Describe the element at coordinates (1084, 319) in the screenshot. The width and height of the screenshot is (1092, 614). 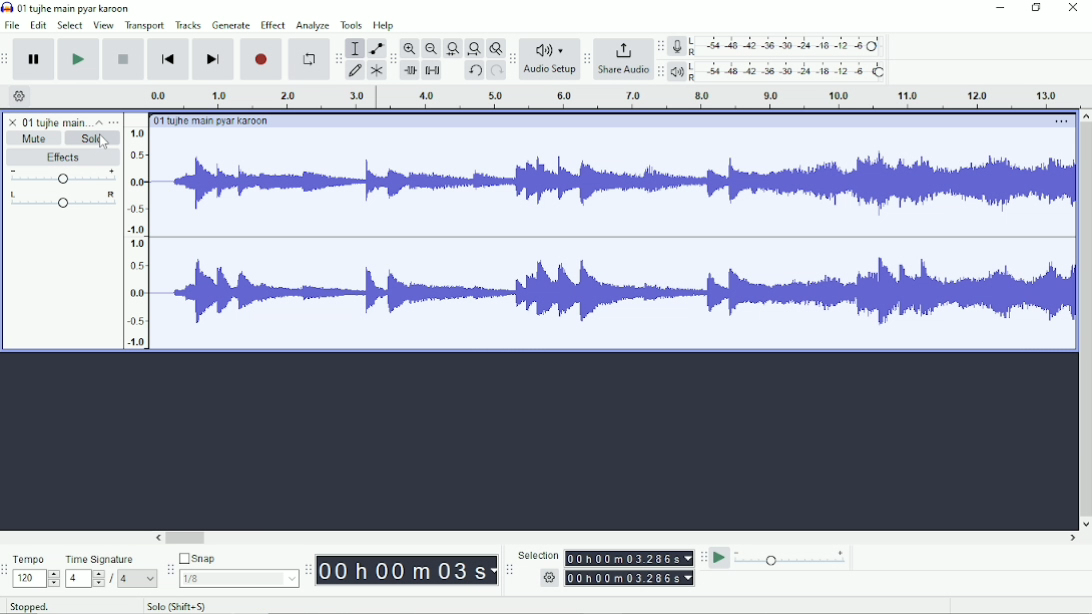
I see `Vertical scrollbar` at that location.